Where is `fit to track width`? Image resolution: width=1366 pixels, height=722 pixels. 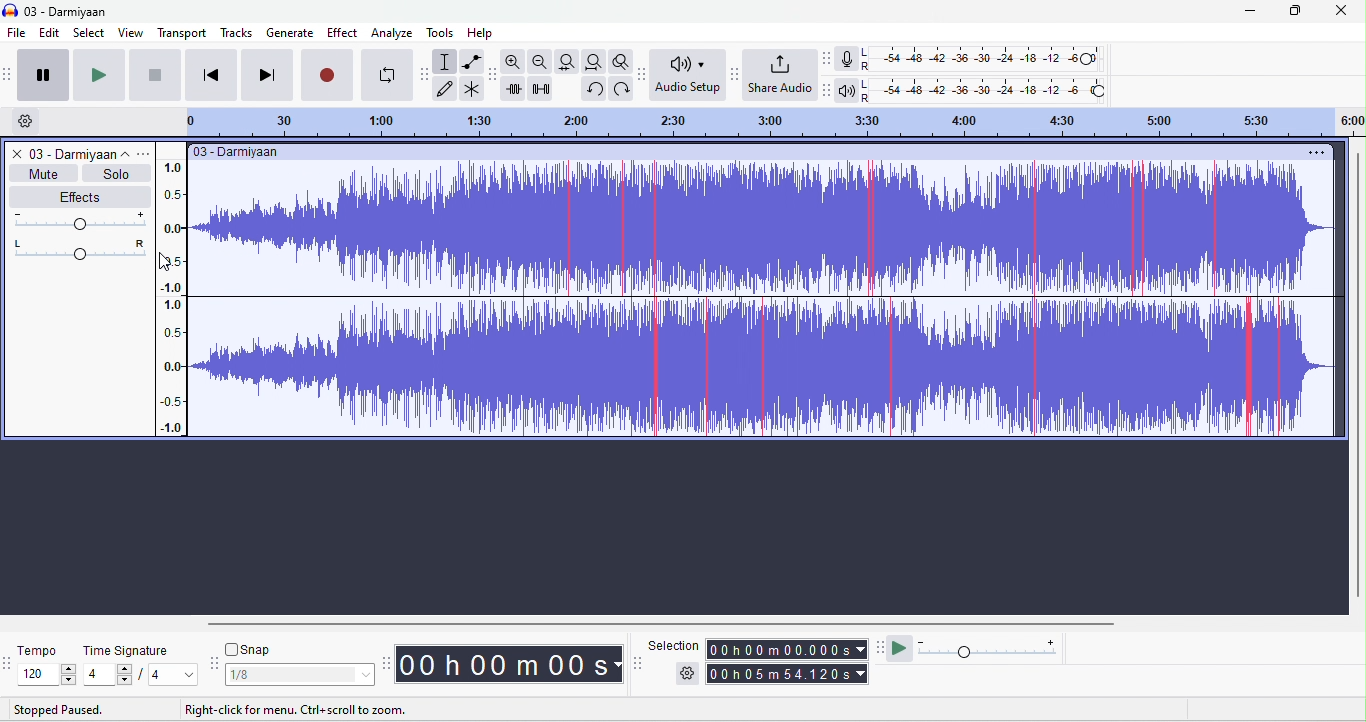 fit to track width is located at coordinates (568, 61).